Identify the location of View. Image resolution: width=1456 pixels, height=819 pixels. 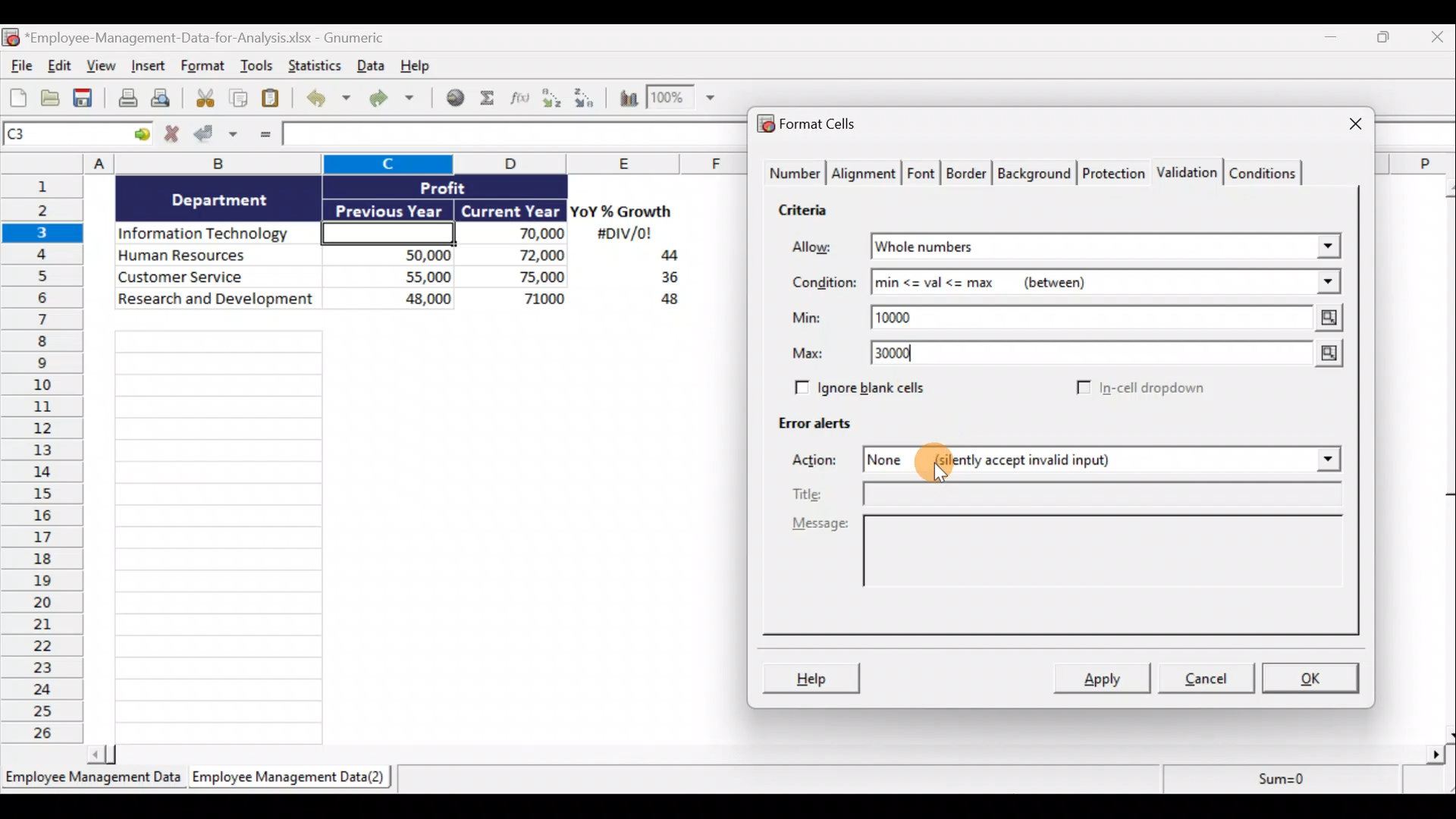
(103, 67).